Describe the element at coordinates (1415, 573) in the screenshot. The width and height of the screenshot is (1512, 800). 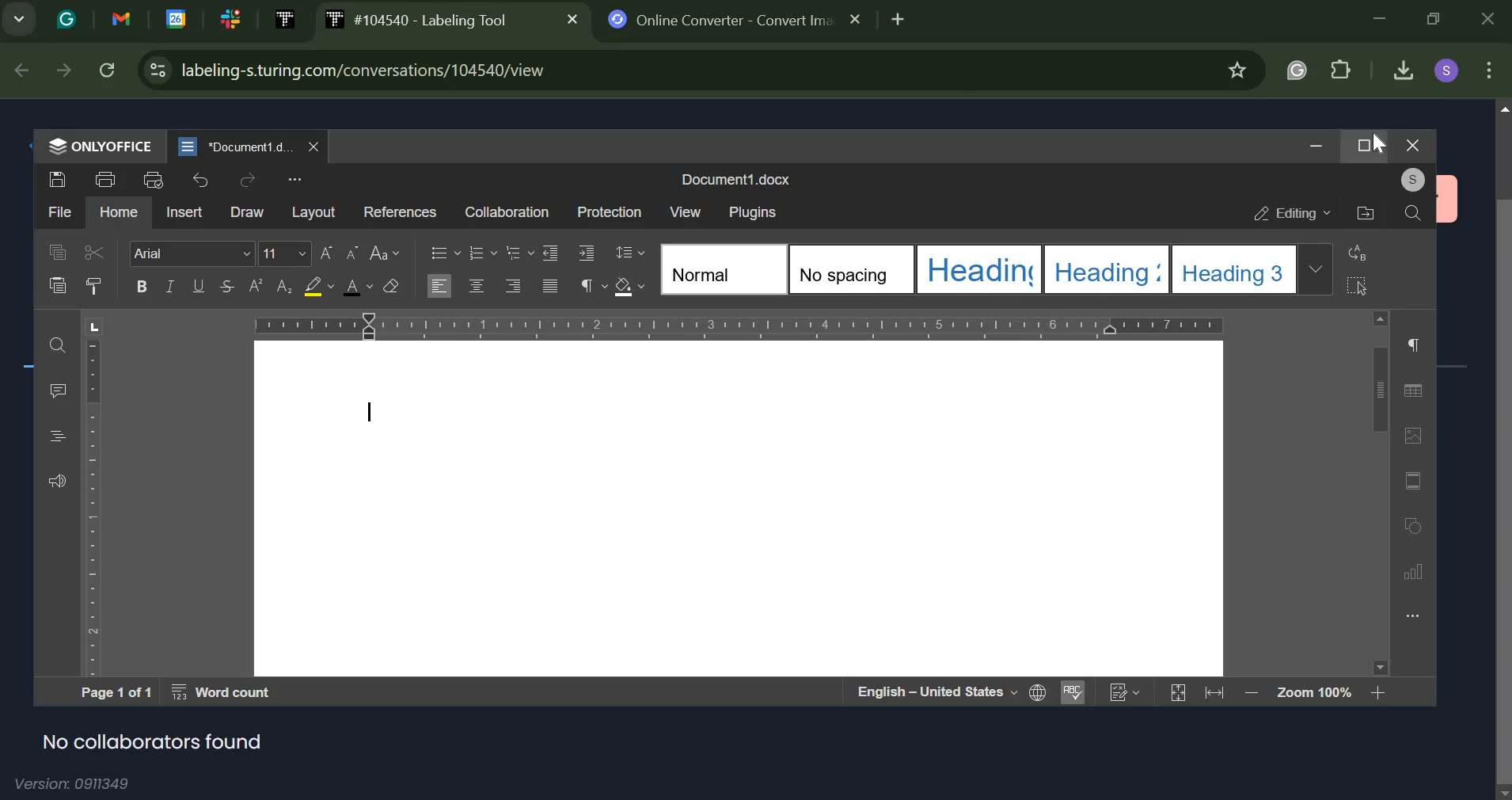
I see `graphs` at that location.